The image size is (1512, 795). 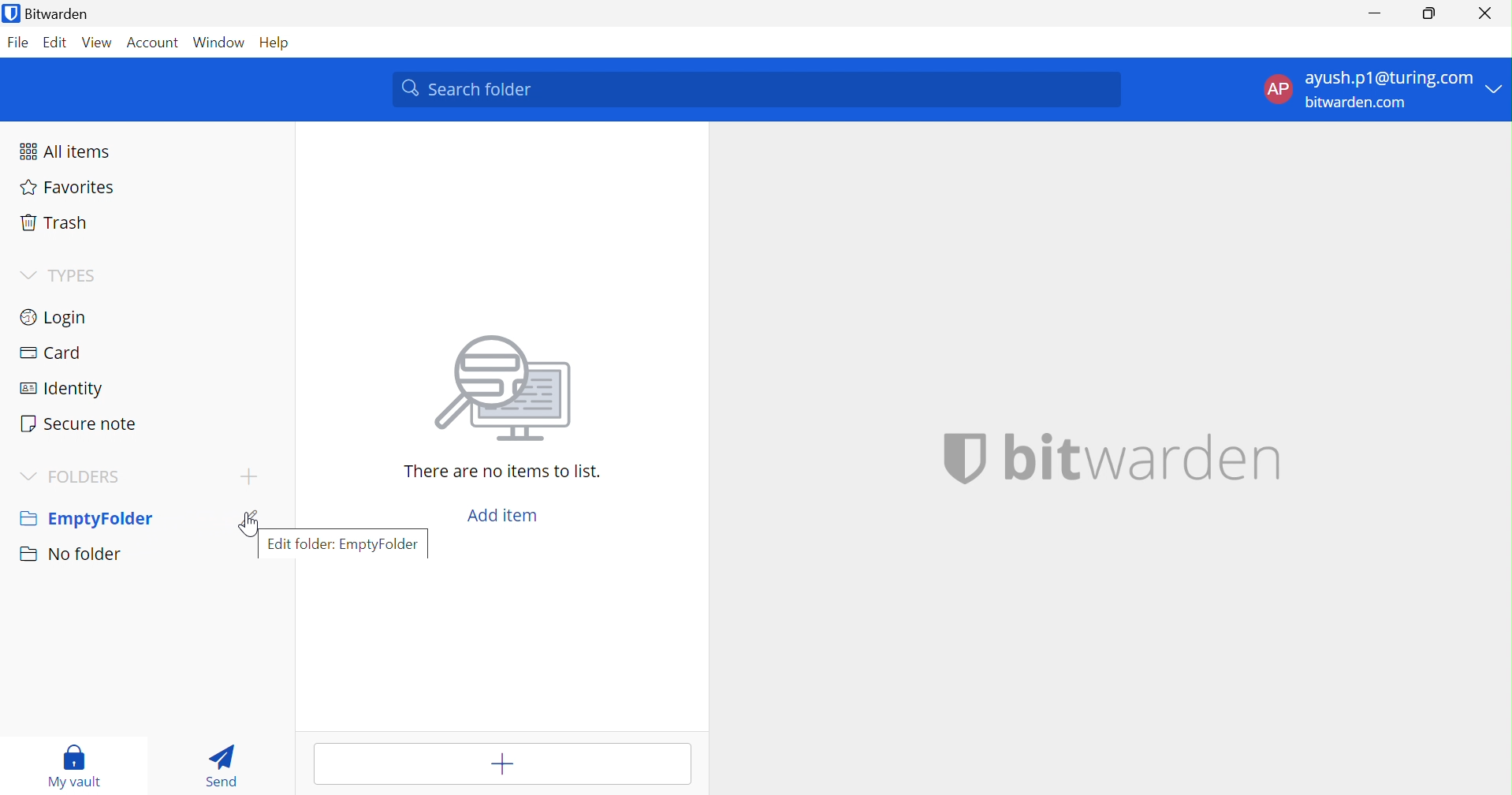 I want to click on Account, so click(x=151, y=43).